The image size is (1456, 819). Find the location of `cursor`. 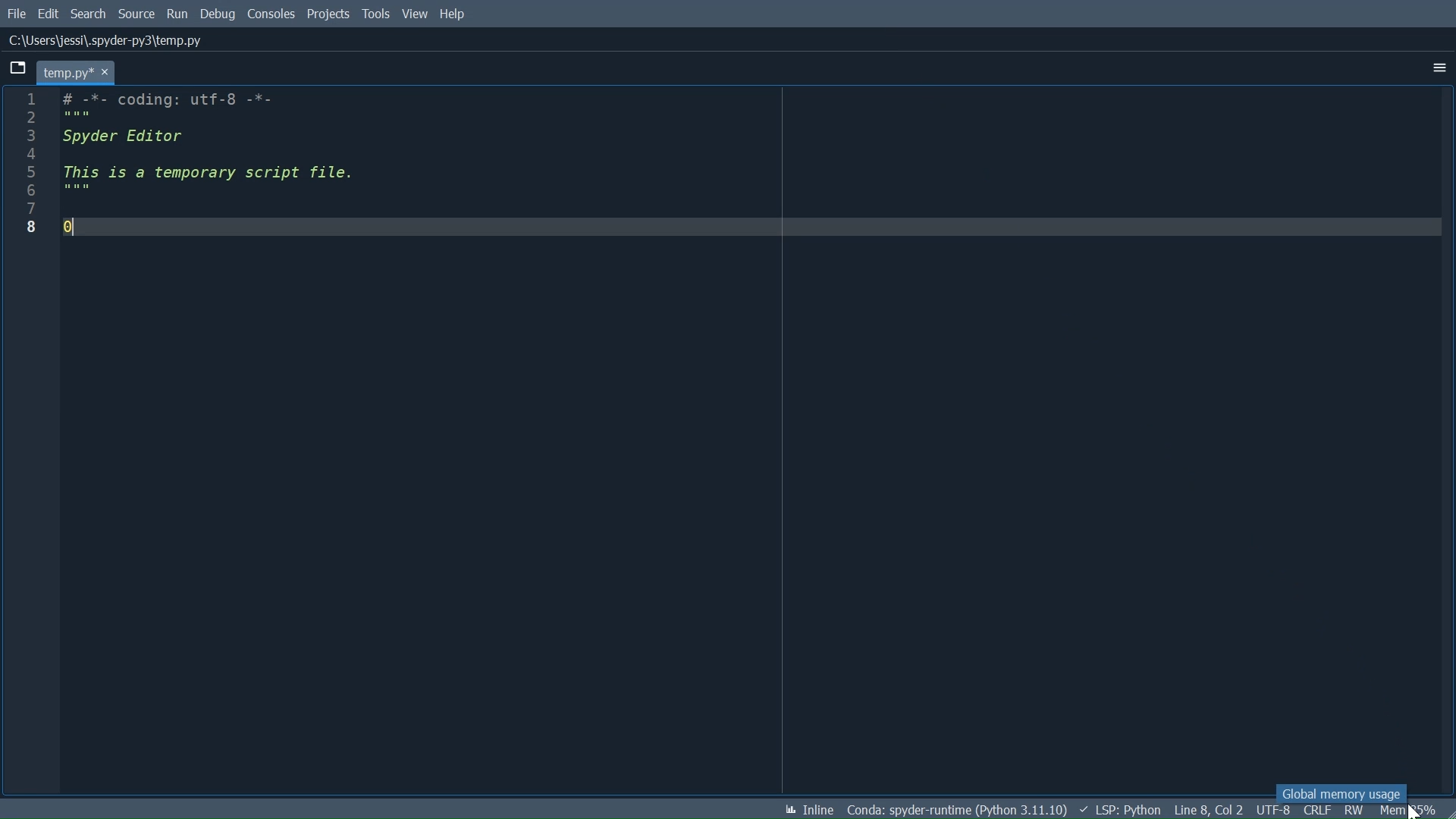

cursor is located at coordinates (1417, 808).